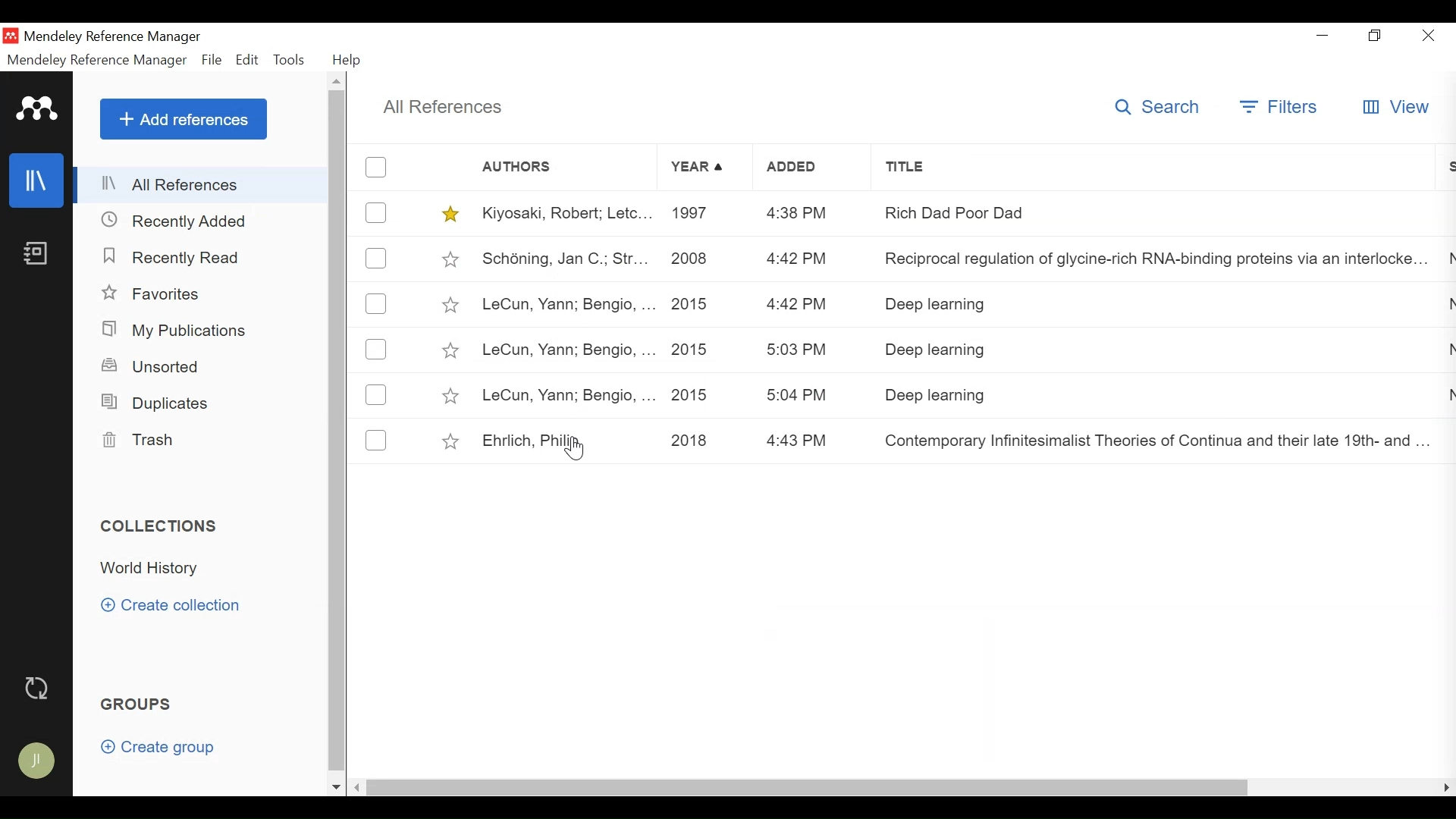  Describe the element at coordinates (376, 350) in the screenshot. I see `(un)select` at that location.